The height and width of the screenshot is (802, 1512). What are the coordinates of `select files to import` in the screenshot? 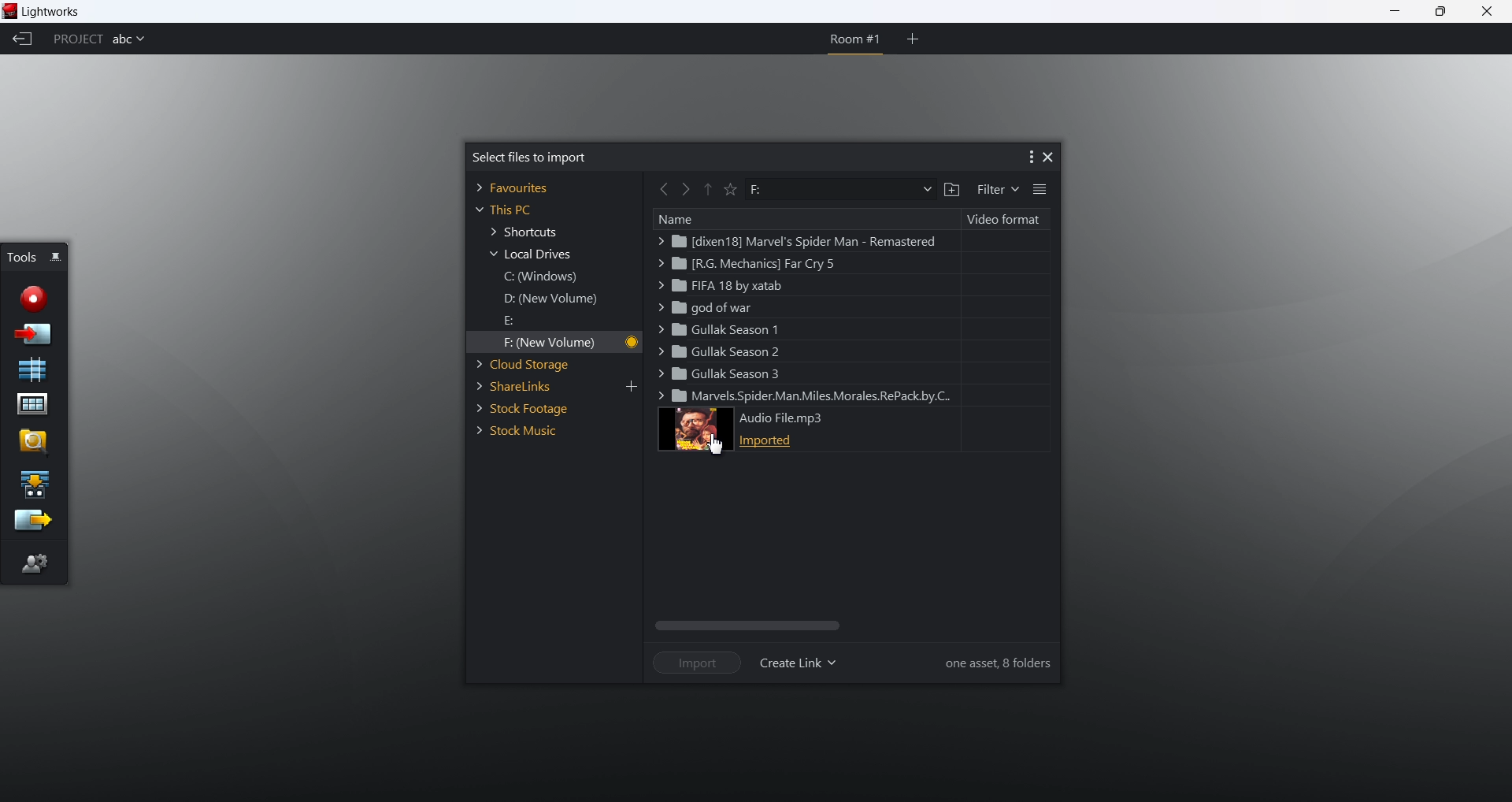 It's located at (526, 158).